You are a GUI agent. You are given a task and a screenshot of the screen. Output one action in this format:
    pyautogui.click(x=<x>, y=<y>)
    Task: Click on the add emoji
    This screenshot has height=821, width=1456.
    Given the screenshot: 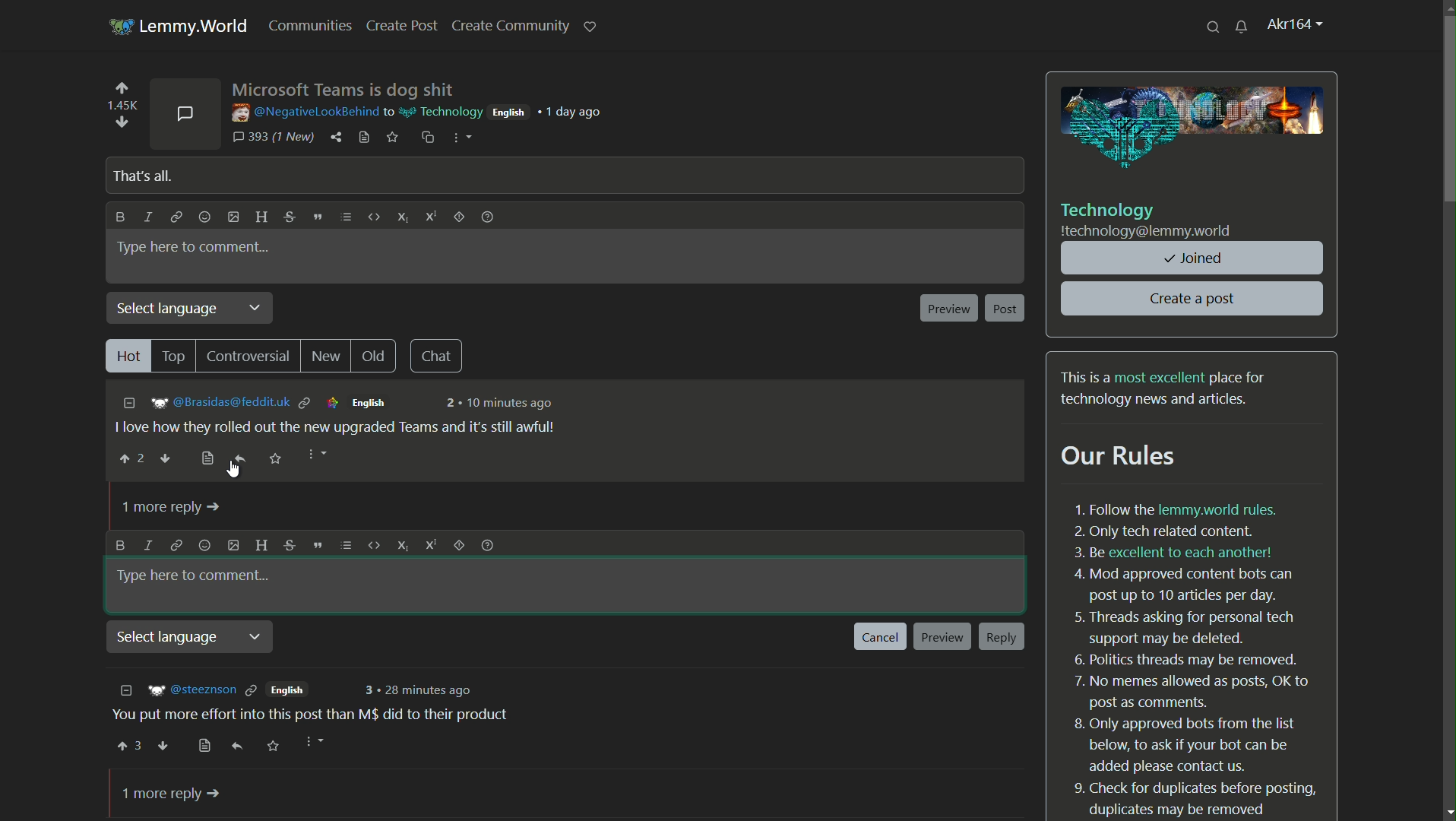 What is the action you would take?
    pyautogui.click(x=204, y=217)
    